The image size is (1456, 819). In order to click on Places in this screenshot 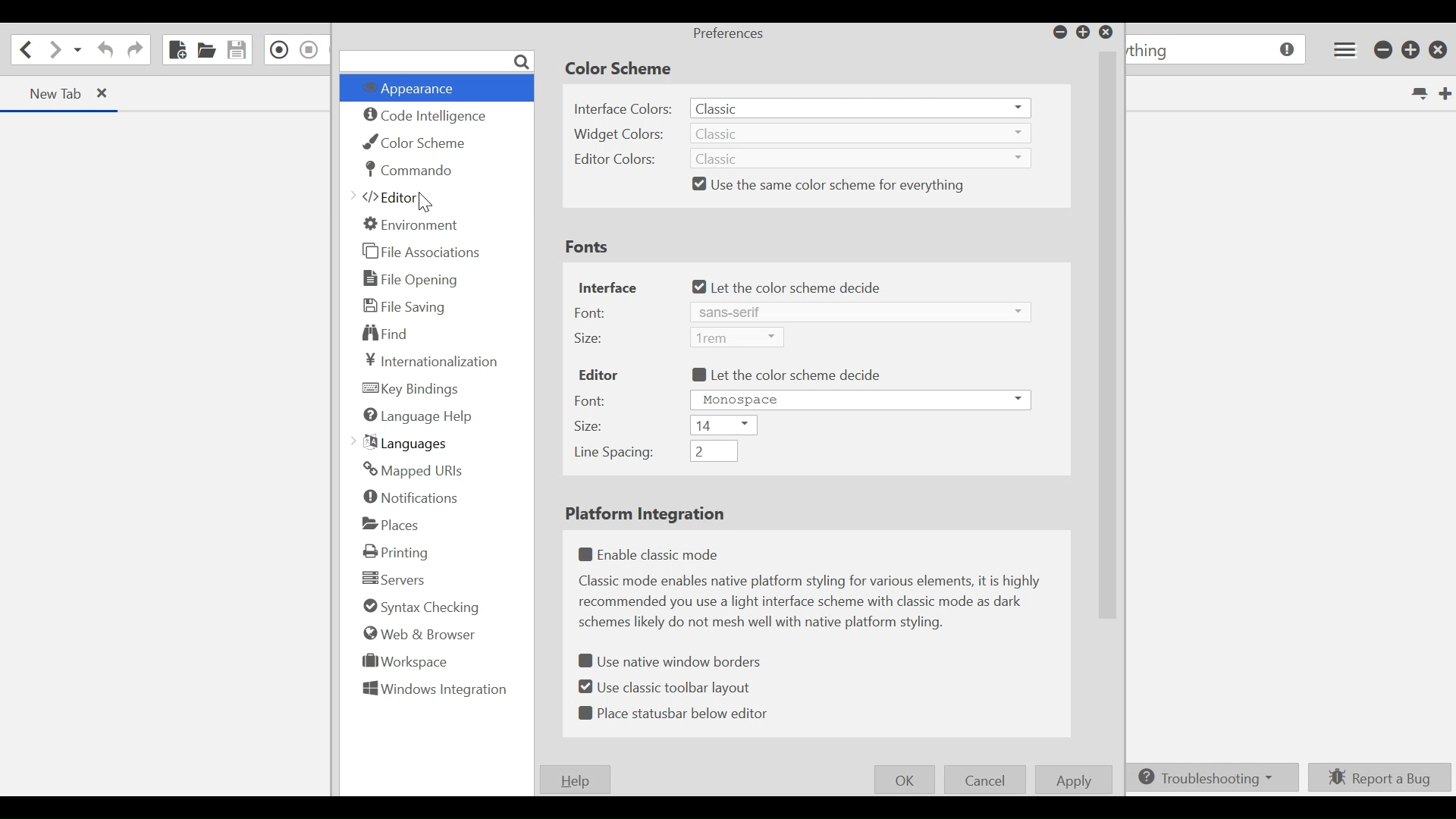, I will do `click(392, 524)`.